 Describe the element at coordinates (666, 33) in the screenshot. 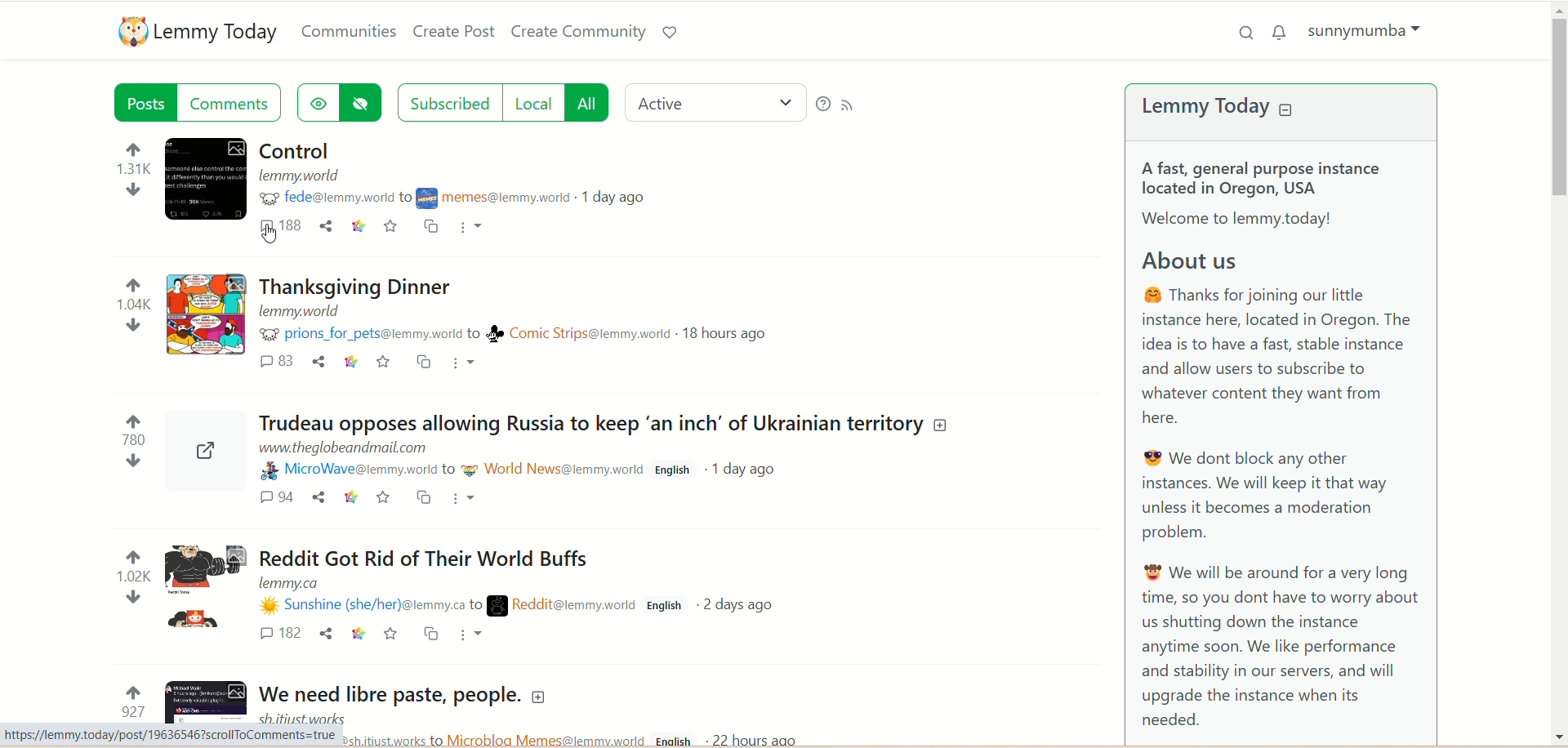

I see `Support lemmy` at that location.